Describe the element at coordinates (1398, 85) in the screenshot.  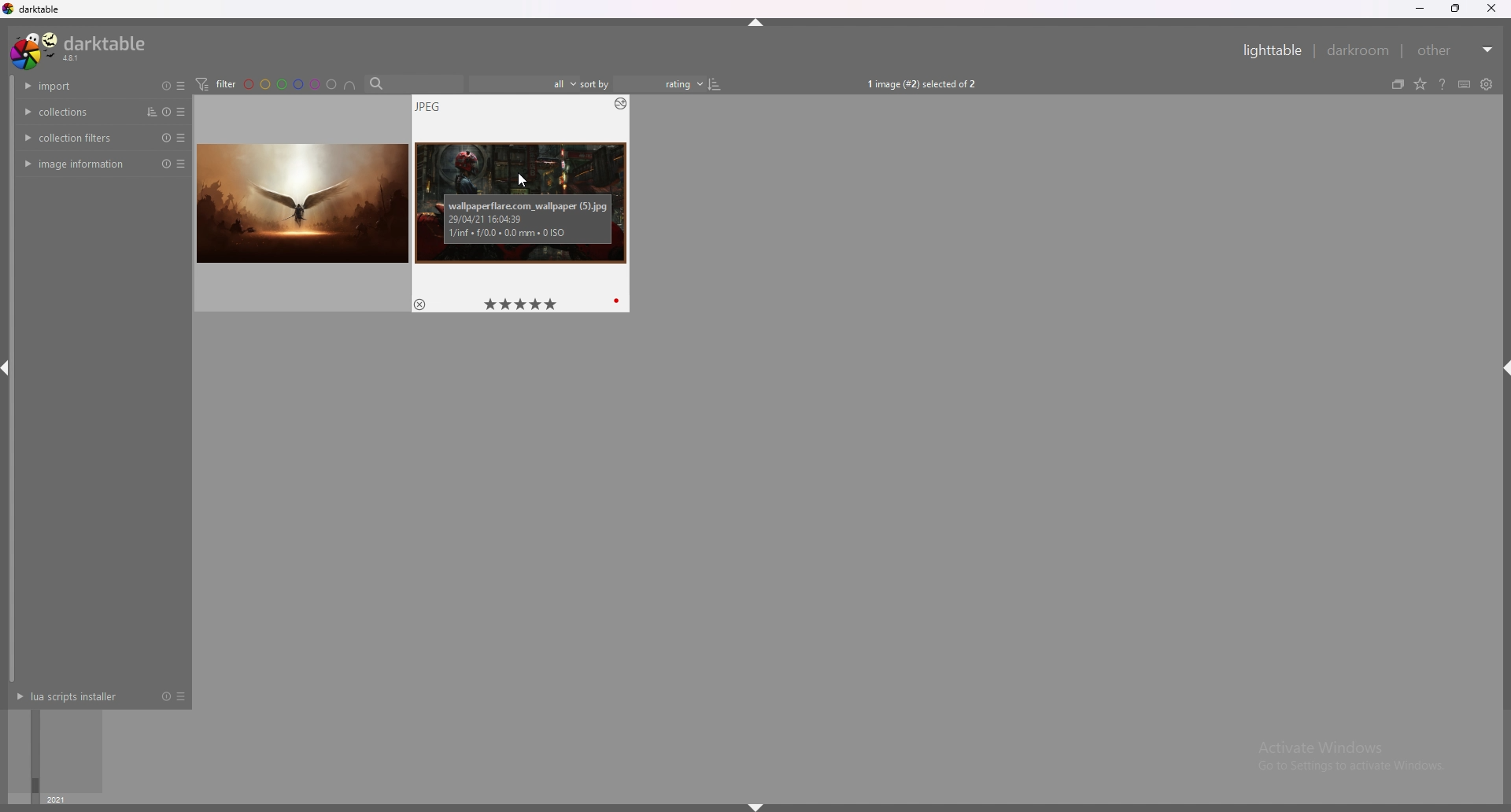
I see `collapse grouped images` at that location.